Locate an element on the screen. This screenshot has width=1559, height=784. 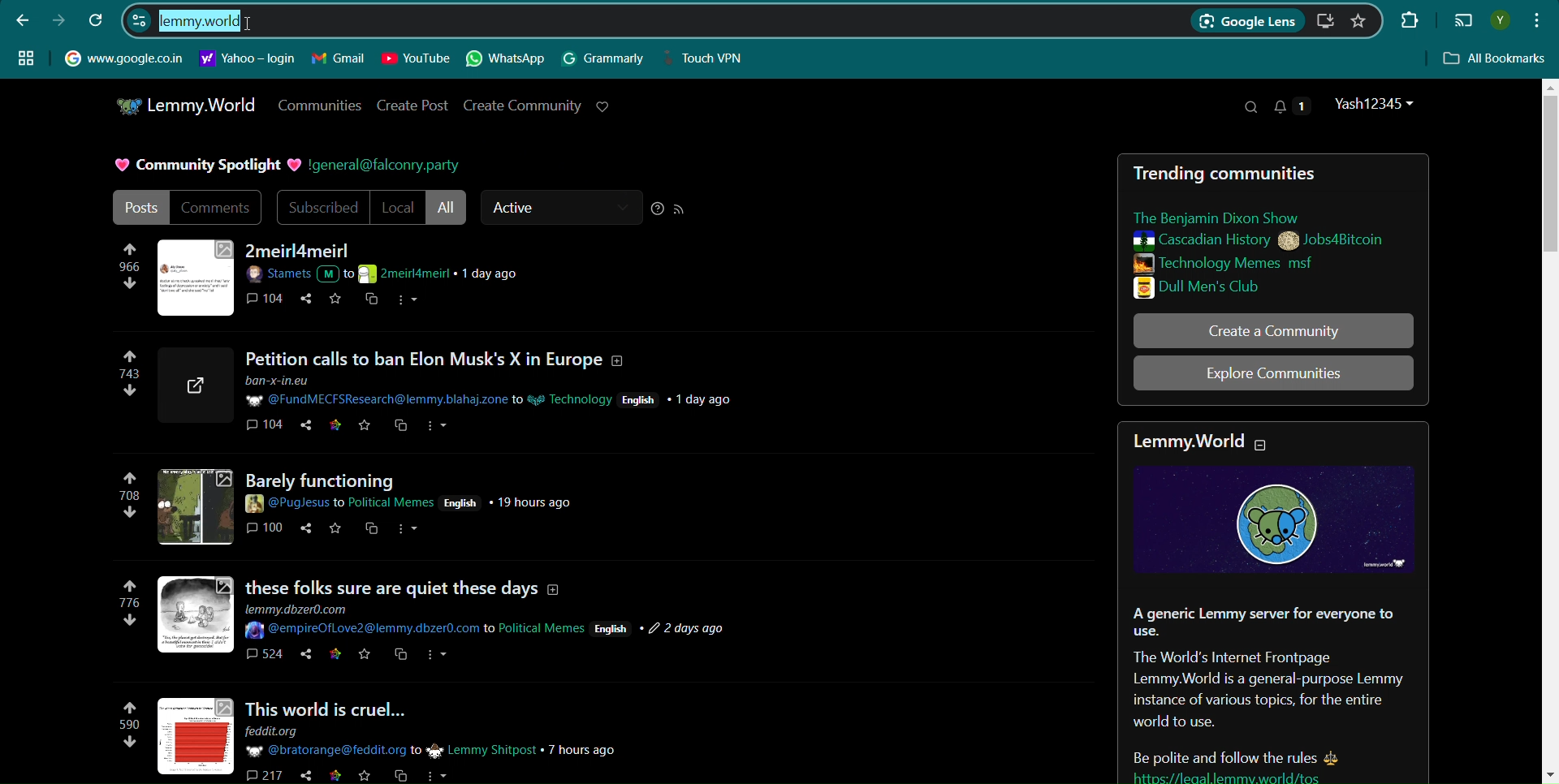
view site information is located at coordinates (139, 19).